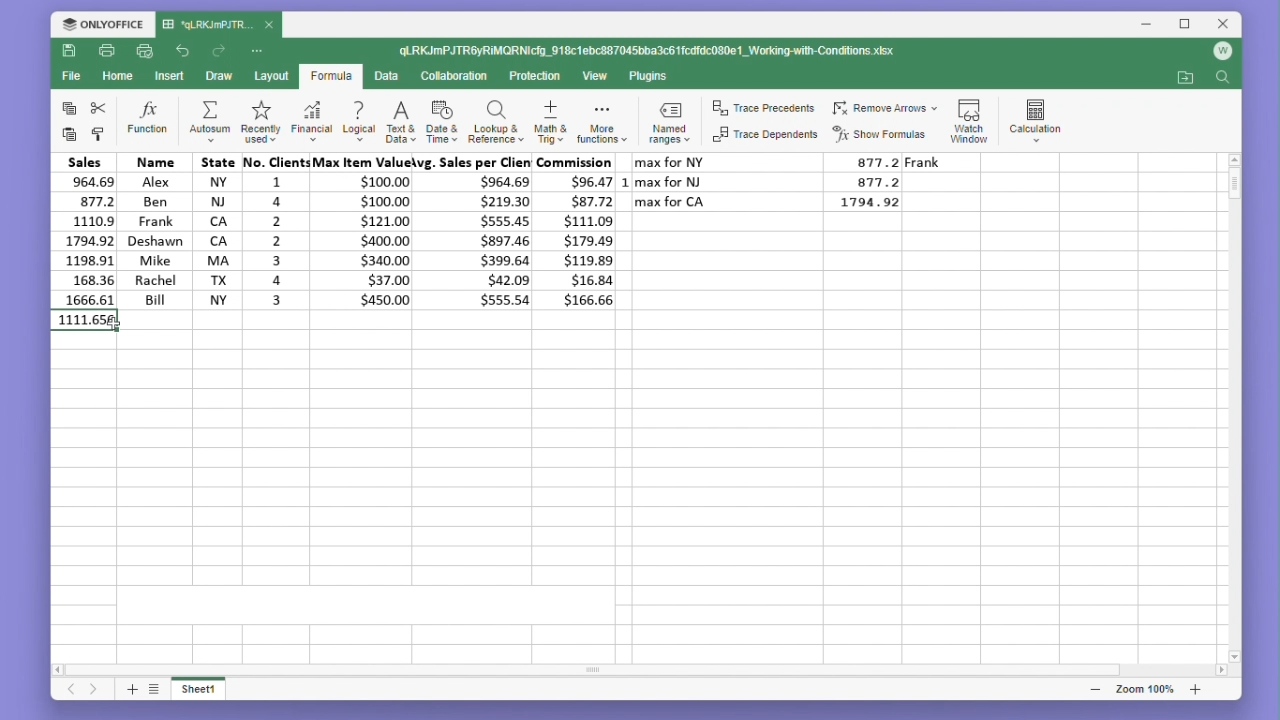 The image size is (1280, 720). Describe the element at coordinates (114, 75) in the screenshot. I see `home` at that location.